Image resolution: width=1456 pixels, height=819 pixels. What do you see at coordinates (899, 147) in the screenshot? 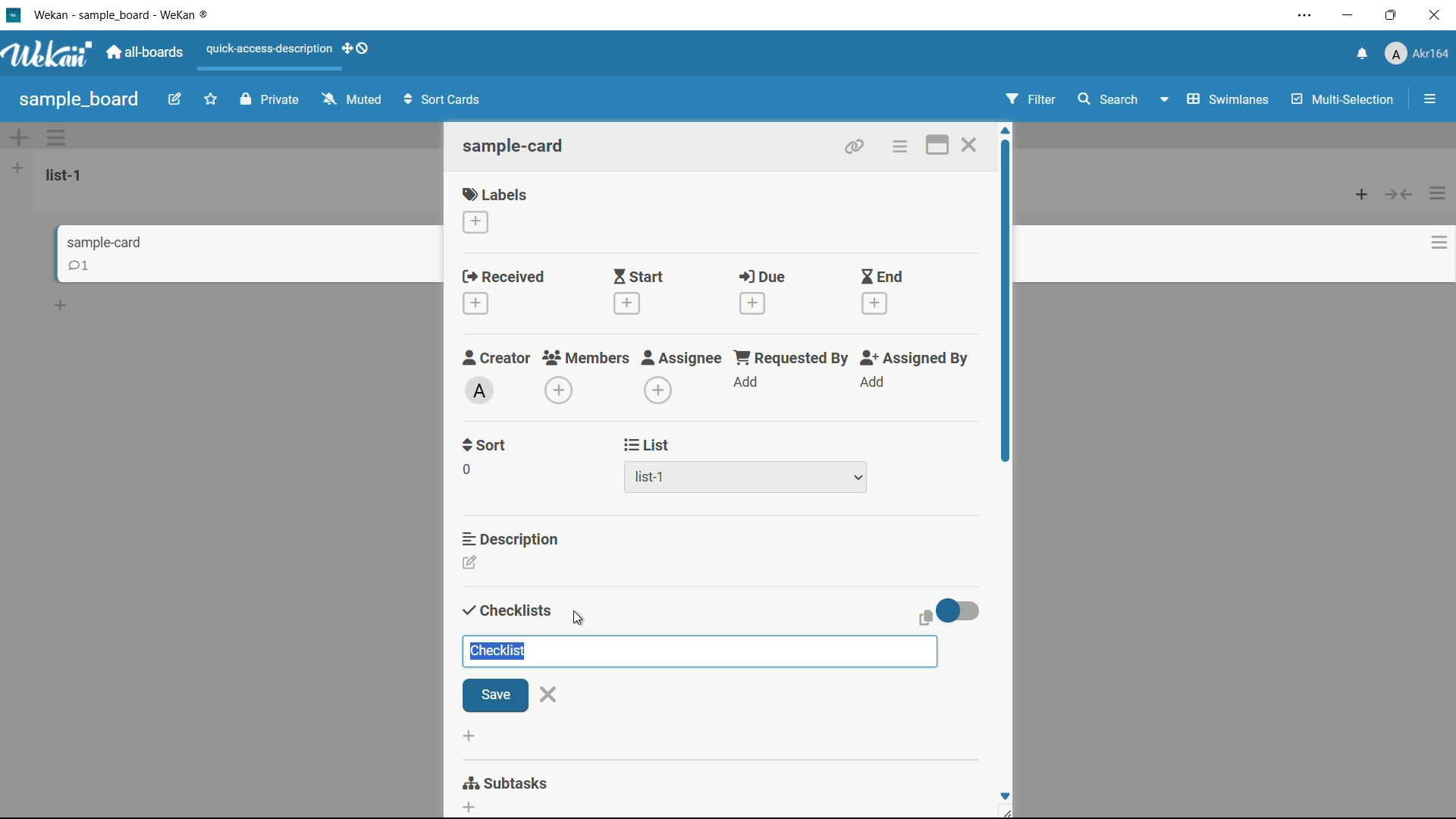
I see `card actions` at bounding box center [899, 147].